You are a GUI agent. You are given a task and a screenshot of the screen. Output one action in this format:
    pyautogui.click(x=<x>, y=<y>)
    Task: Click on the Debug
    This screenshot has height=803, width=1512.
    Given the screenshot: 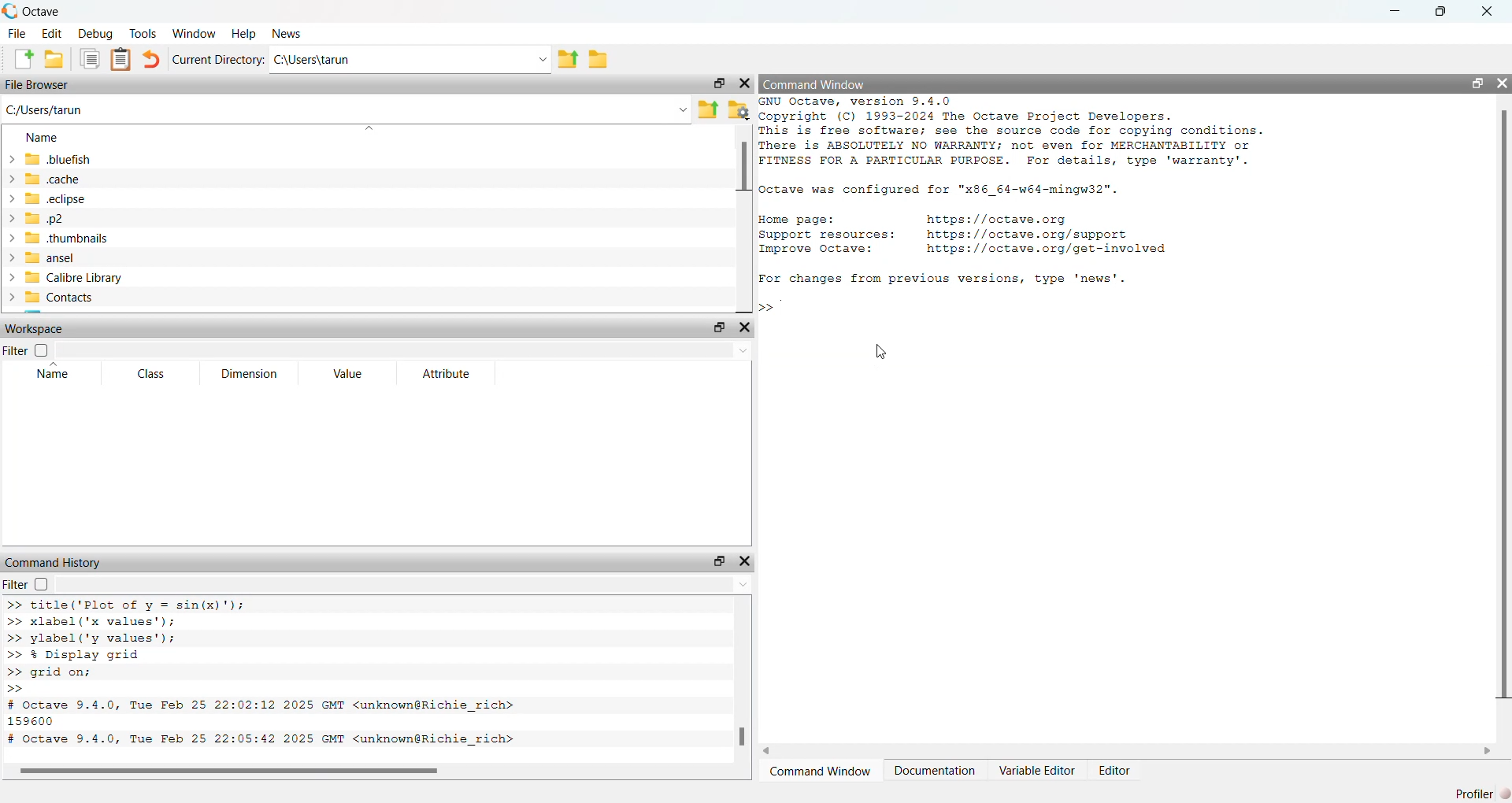 What is the action you would take?
    pyautogui.click(x=96, y=35)
    